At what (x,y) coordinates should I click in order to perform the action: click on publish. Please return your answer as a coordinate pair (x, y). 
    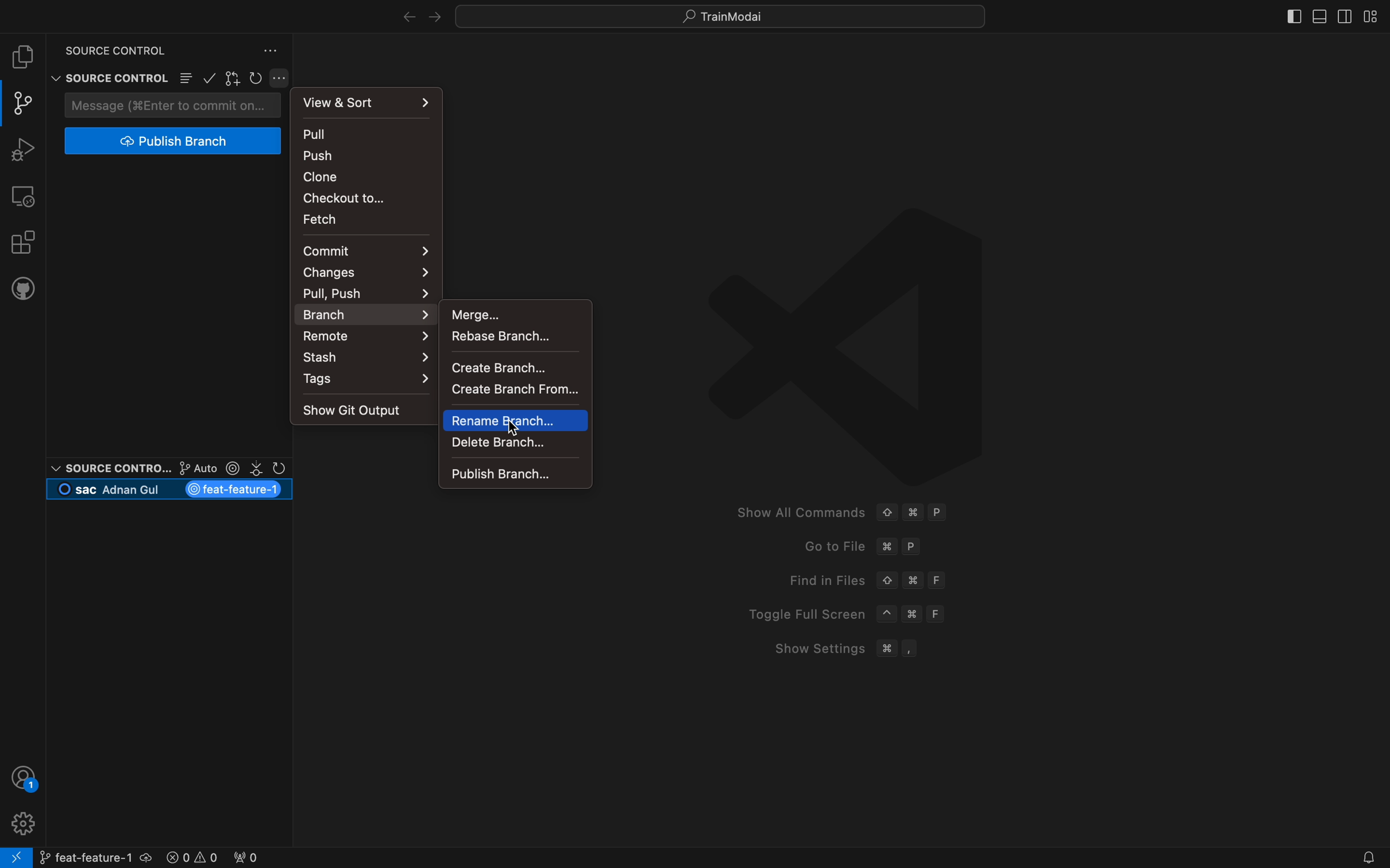
    Looking at the image, I should click on (518, 471).